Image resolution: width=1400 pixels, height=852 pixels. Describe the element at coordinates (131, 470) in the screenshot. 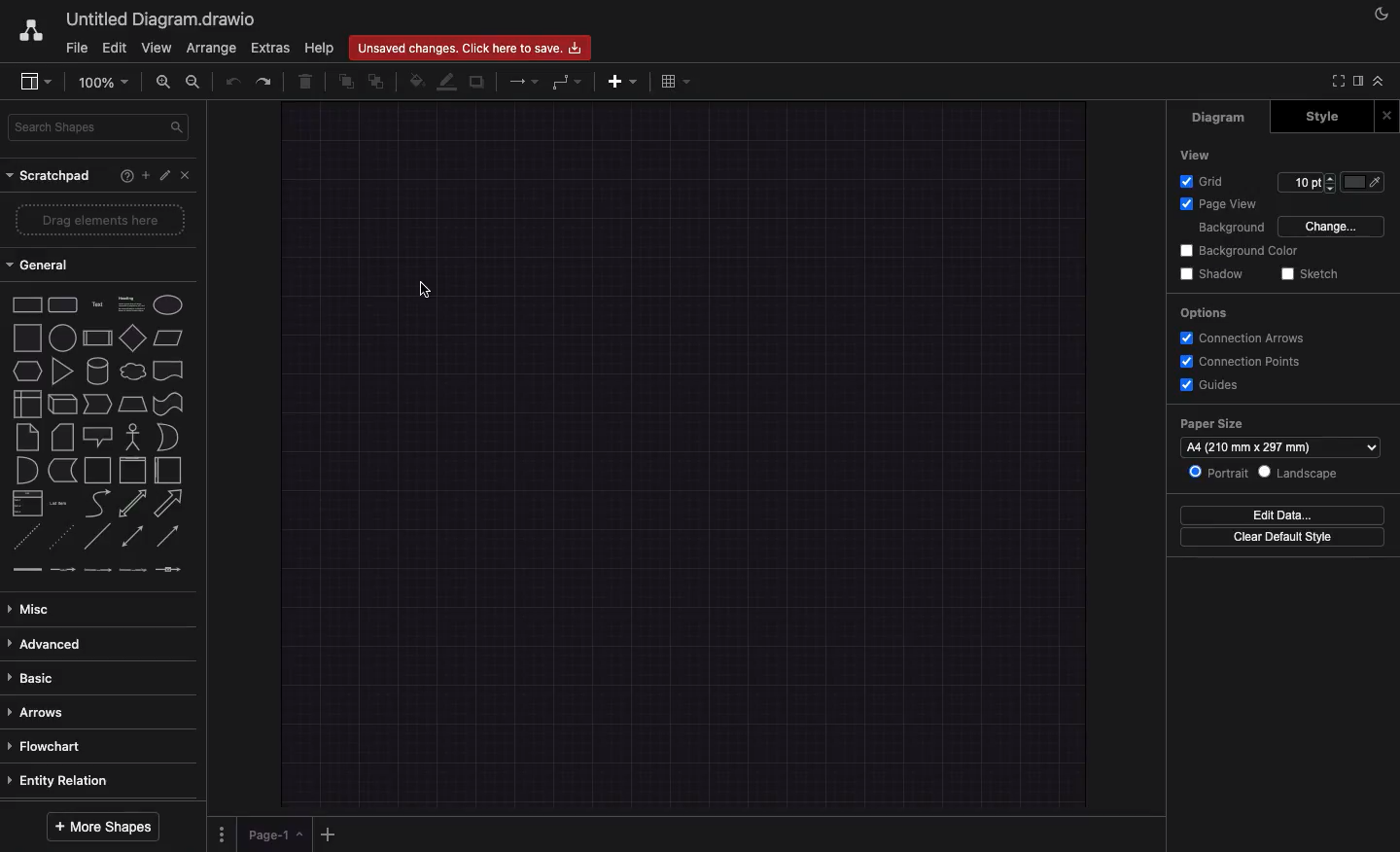

I see `vertical container` at that location.